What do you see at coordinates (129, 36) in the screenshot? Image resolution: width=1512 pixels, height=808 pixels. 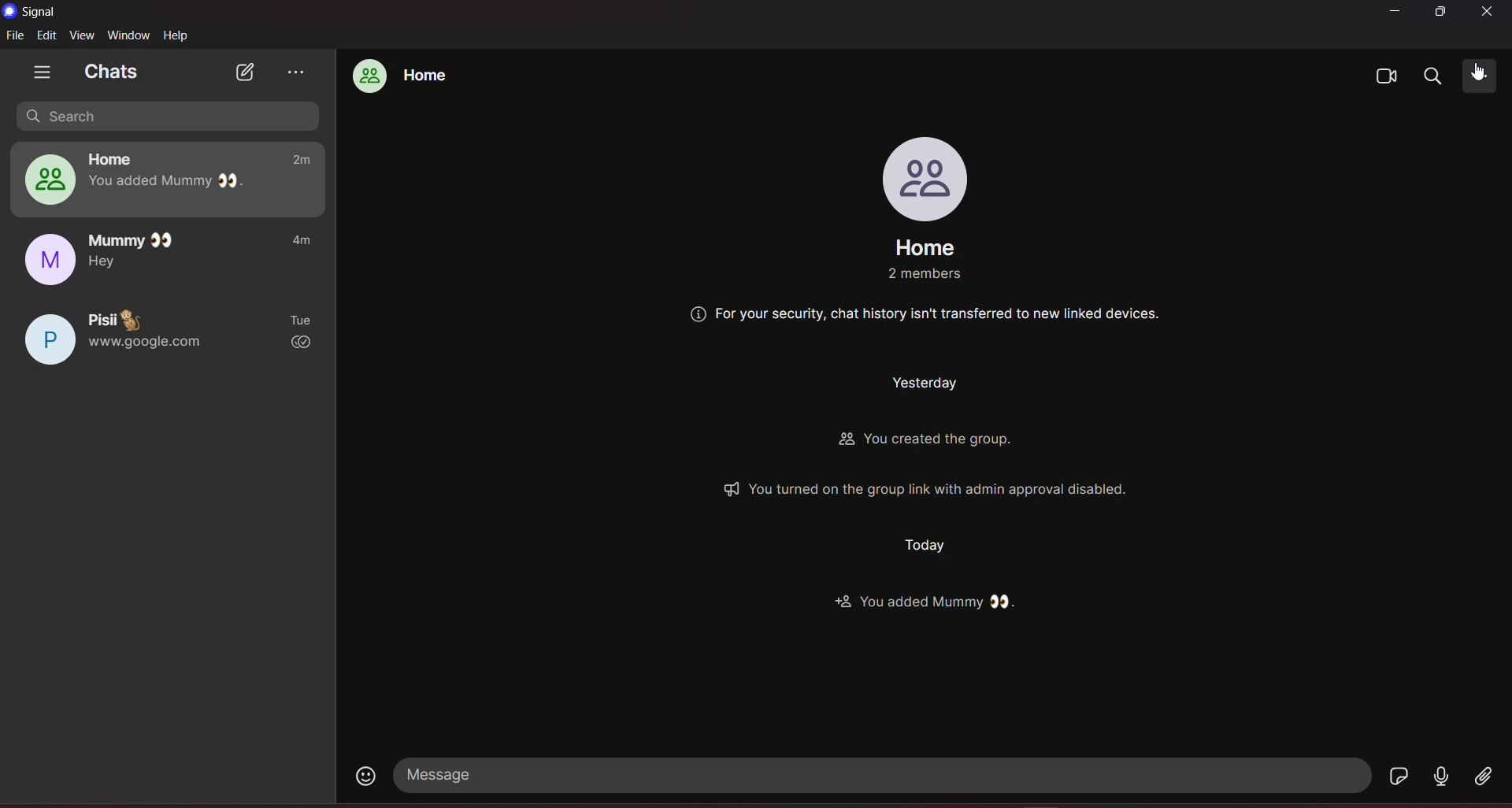 I see `window` at bounding box center [129, 36].